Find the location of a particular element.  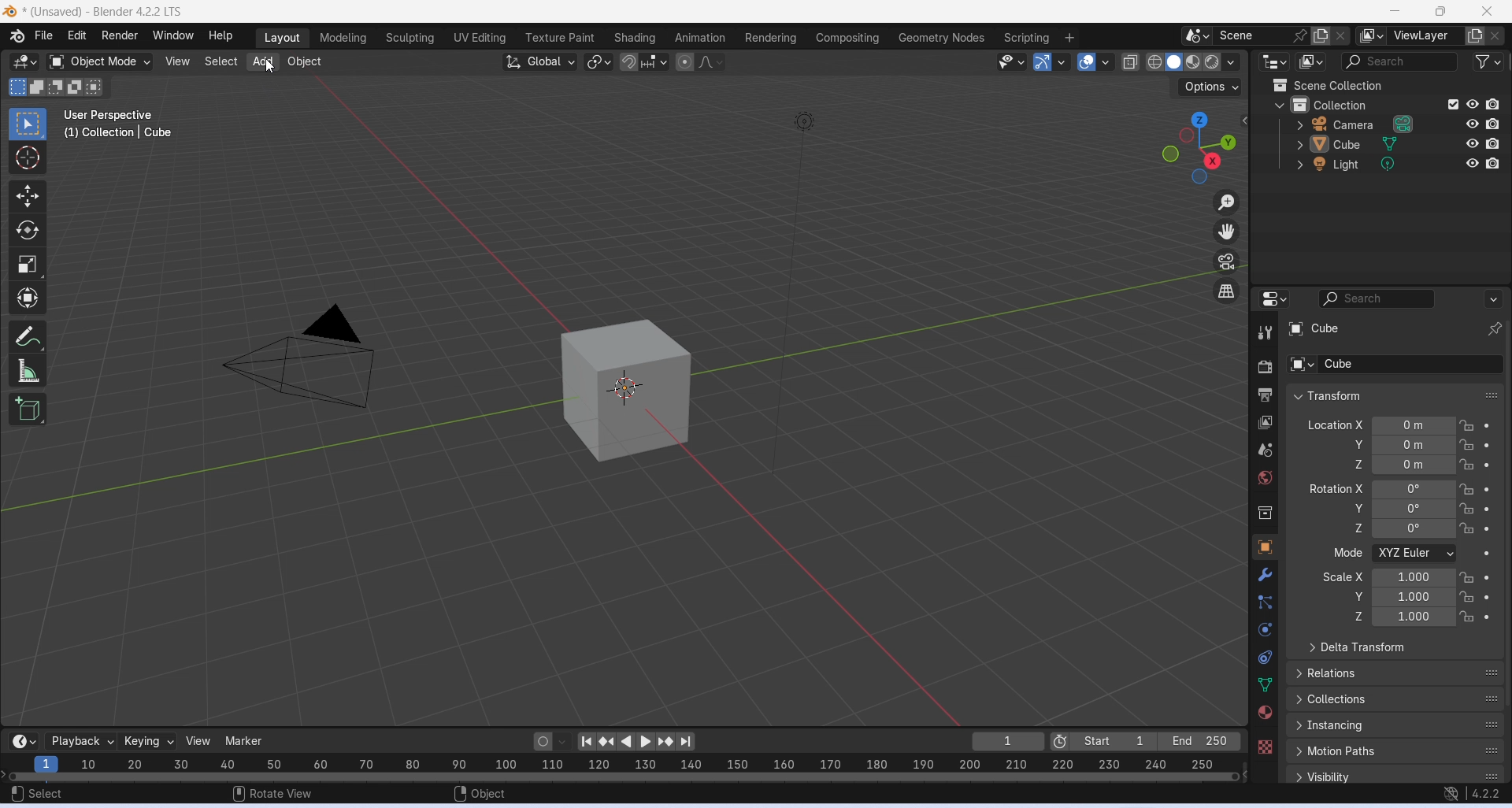

proportional editing objects is located at coordinates (686, 62).